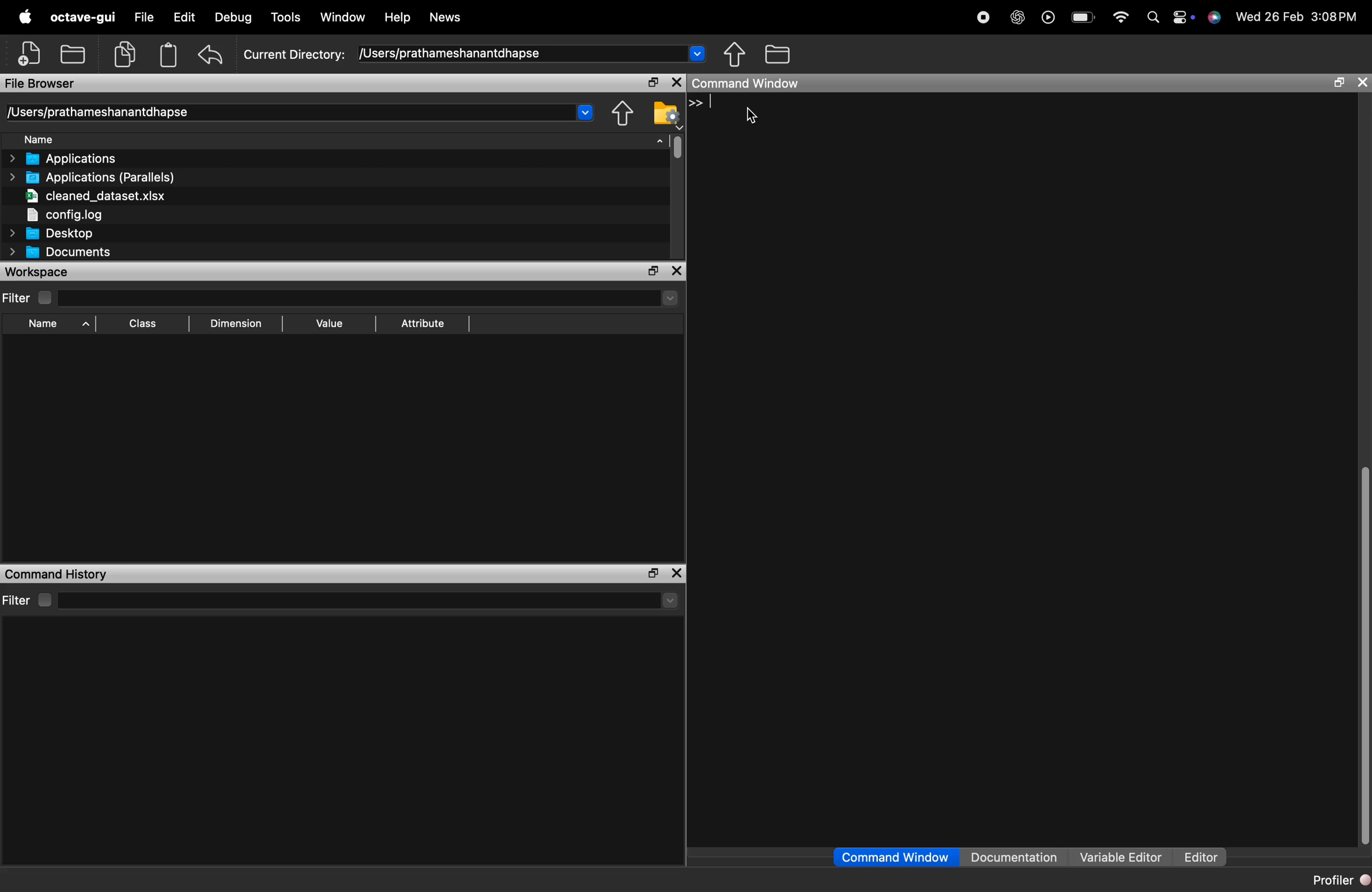 The height and width of the screenshot is (892, 1372). I want to click on apple, so click(25, 17).